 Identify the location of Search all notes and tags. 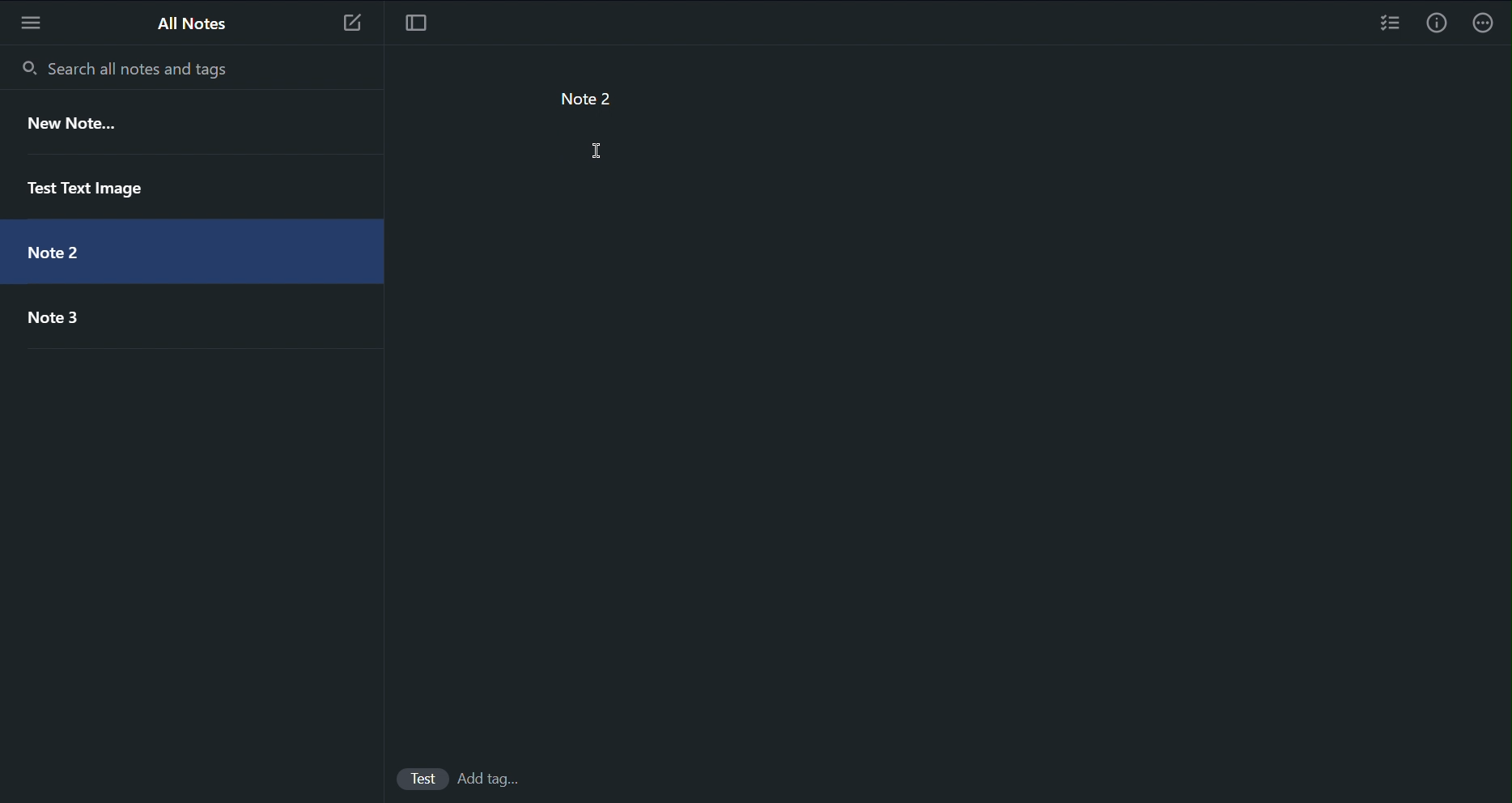
(119, 64).